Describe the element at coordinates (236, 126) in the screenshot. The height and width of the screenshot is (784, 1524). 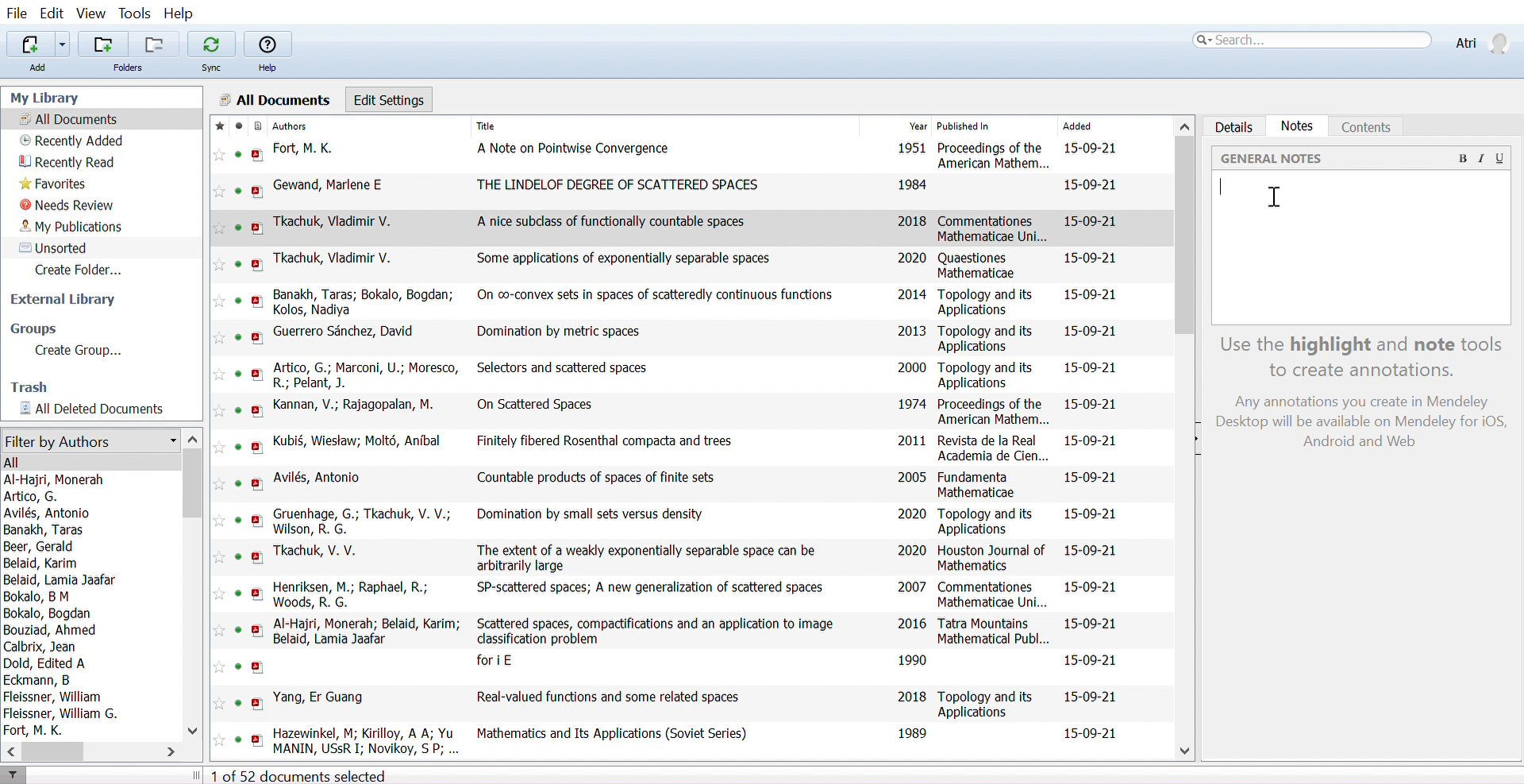
I see `mark as read/ unread` at that location.